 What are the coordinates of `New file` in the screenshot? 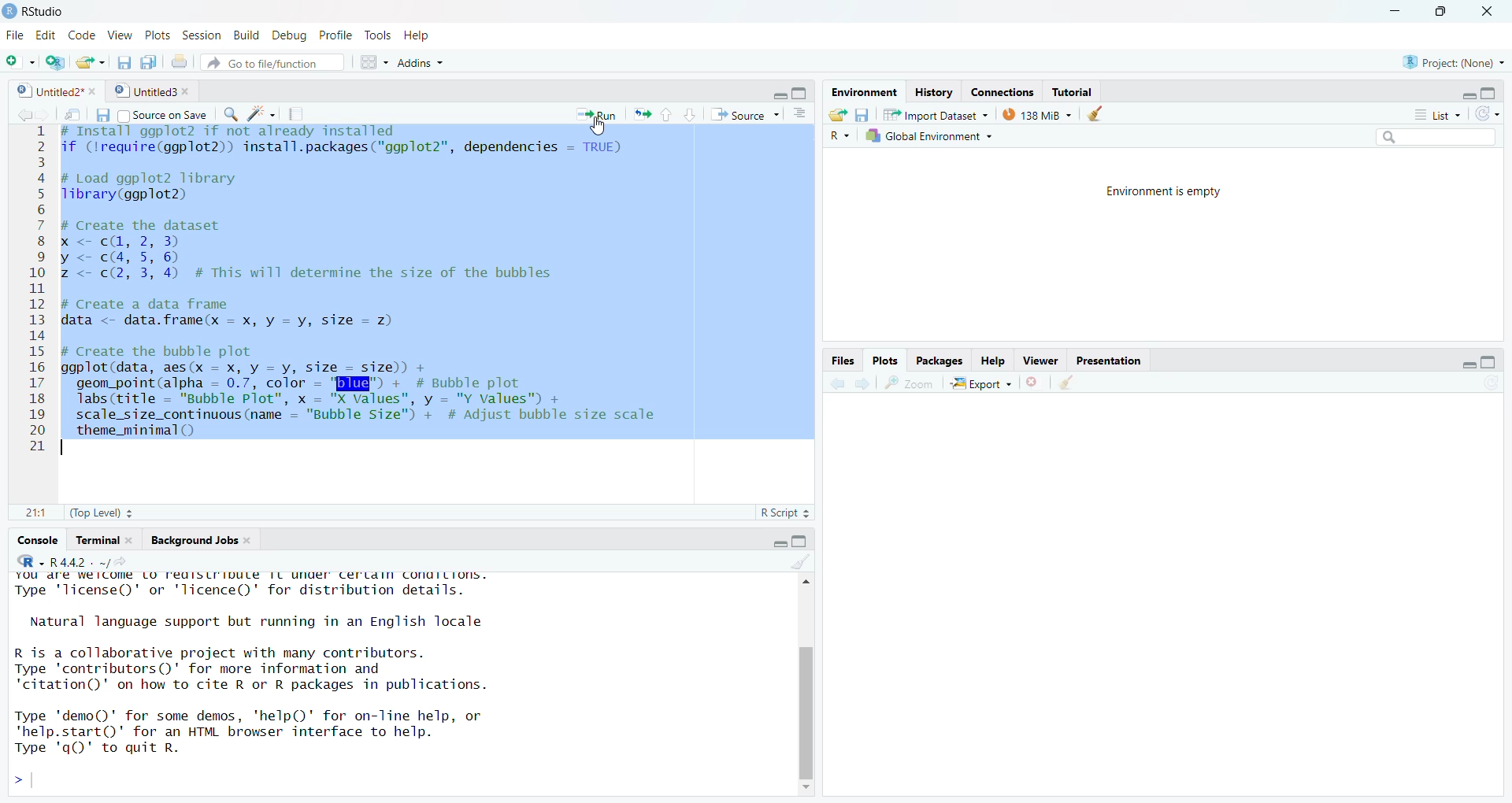 It's located at (17, 57).